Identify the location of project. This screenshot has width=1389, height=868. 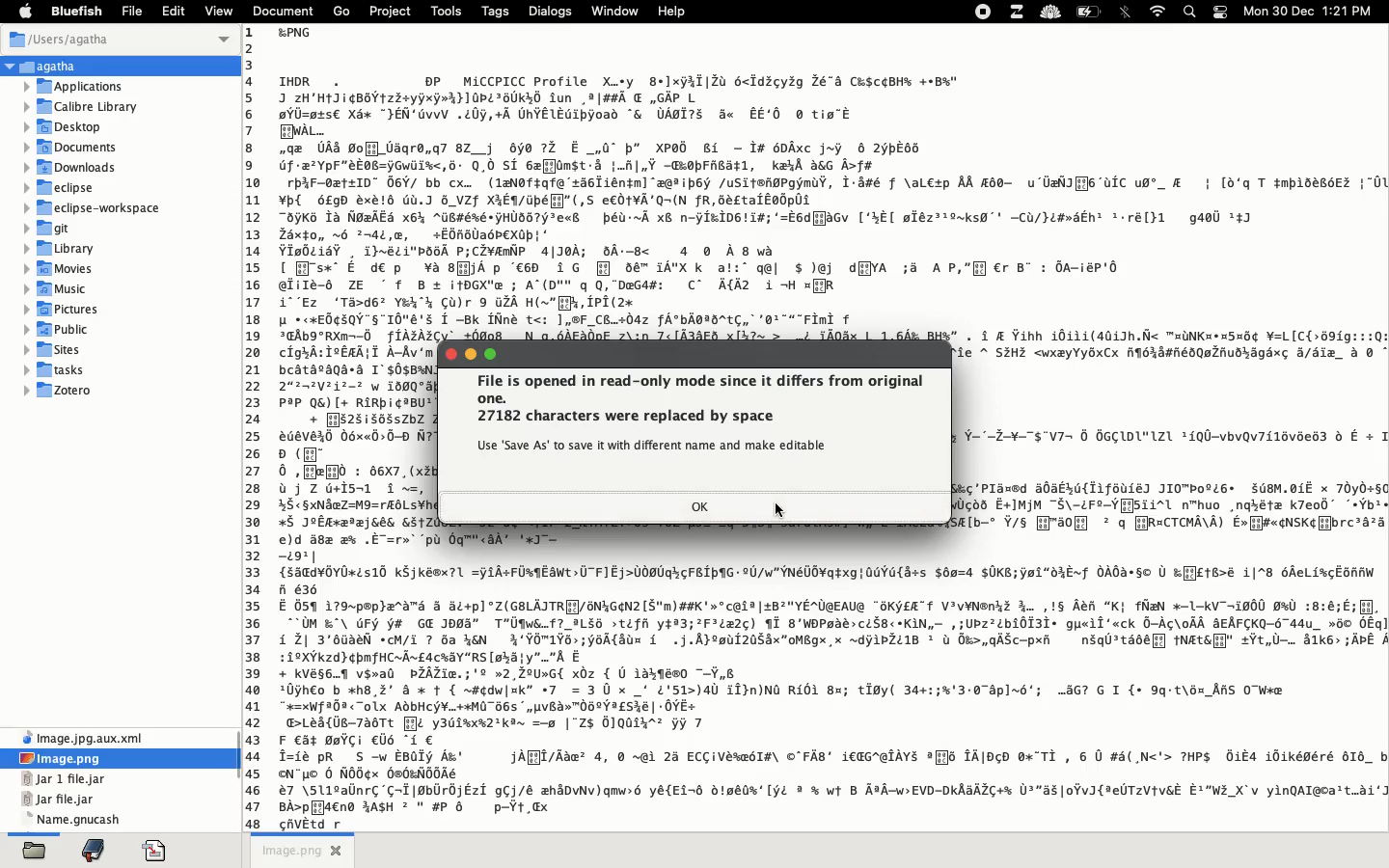
(393, 11).